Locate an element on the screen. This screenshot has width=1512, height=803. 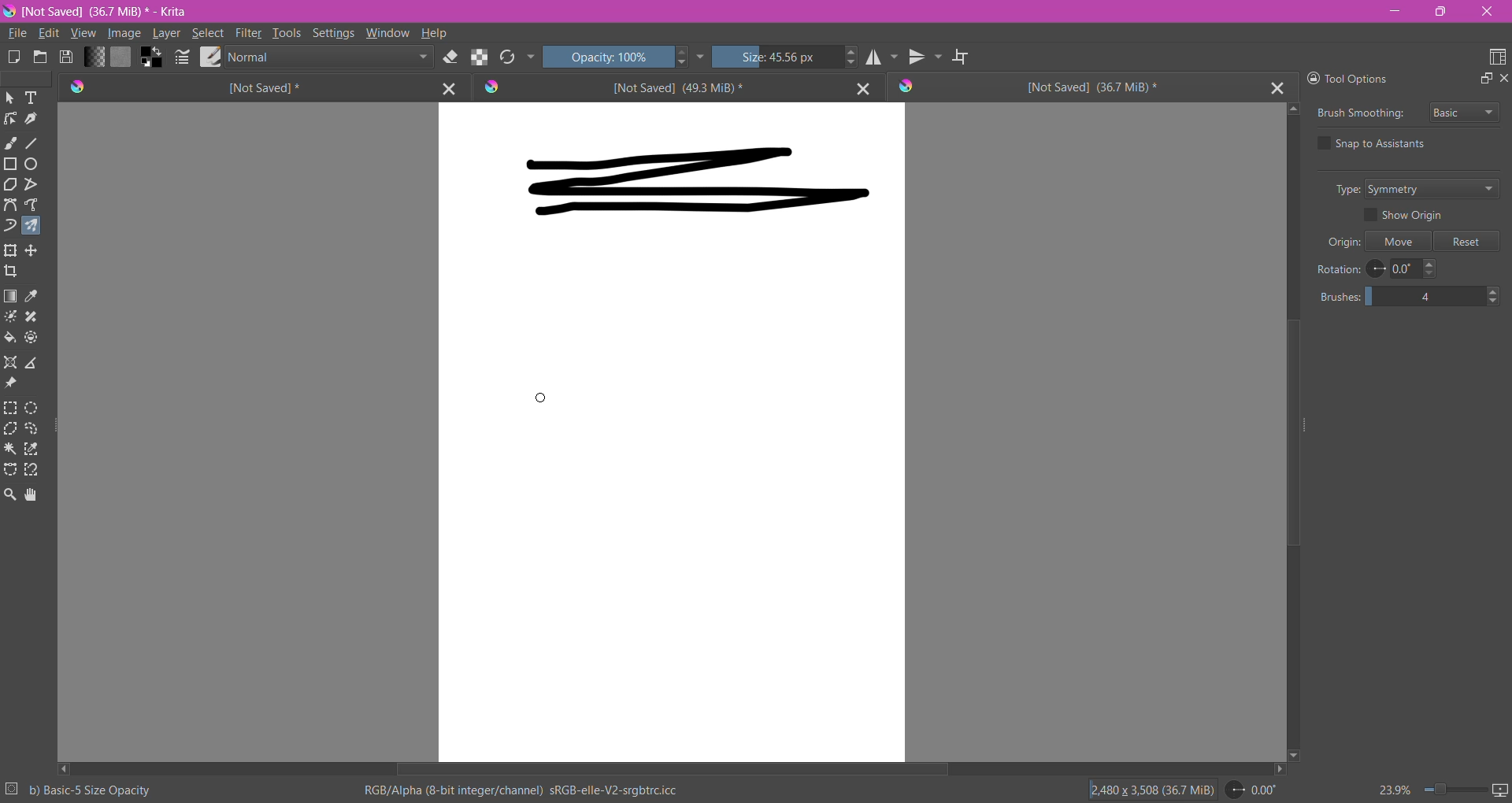
Sample a color from the image or current layer is located at coordinates (35, 296).